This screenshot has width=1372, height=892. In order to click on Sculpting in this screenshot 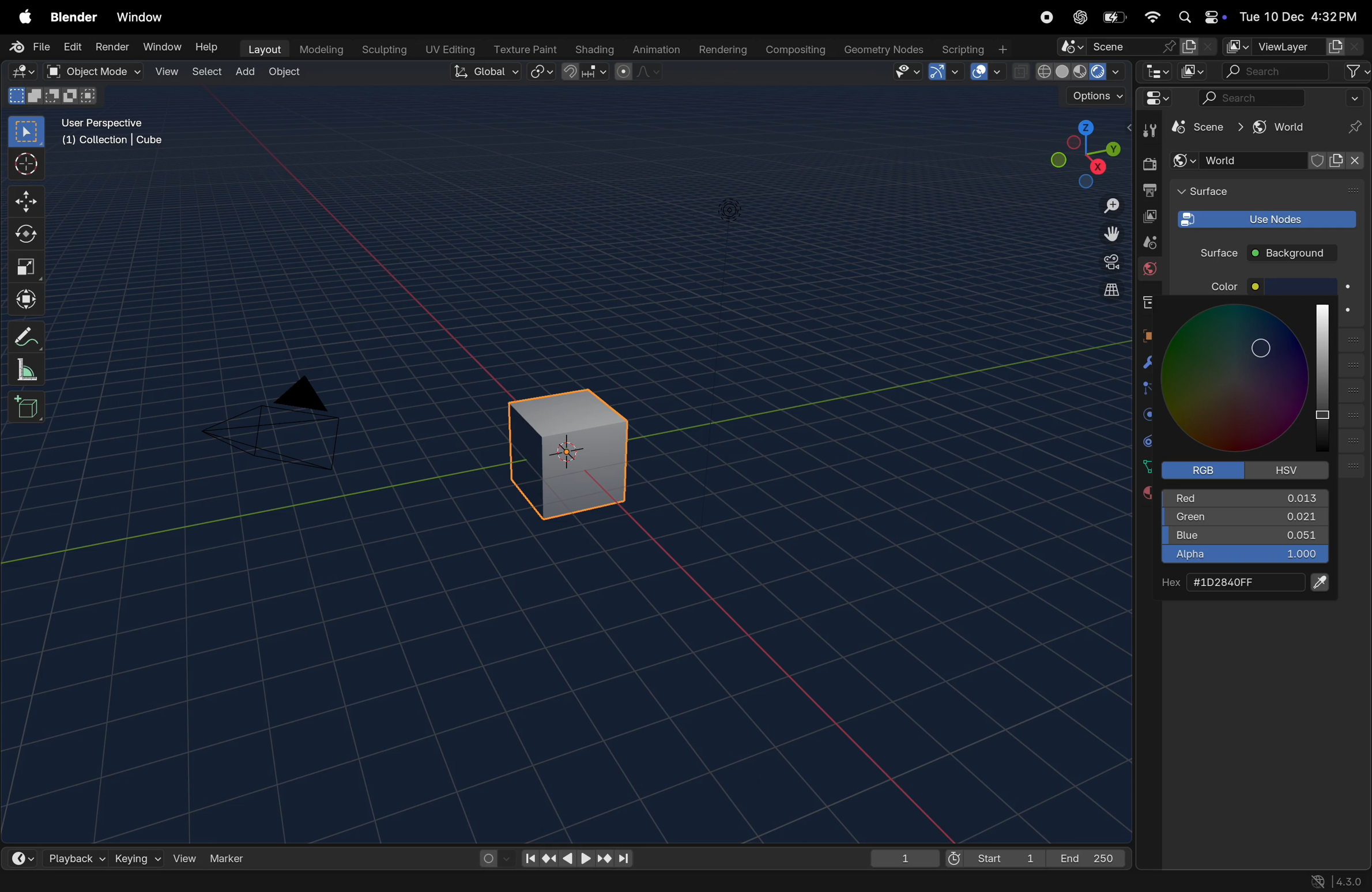, I will do `click(381, 50)`.